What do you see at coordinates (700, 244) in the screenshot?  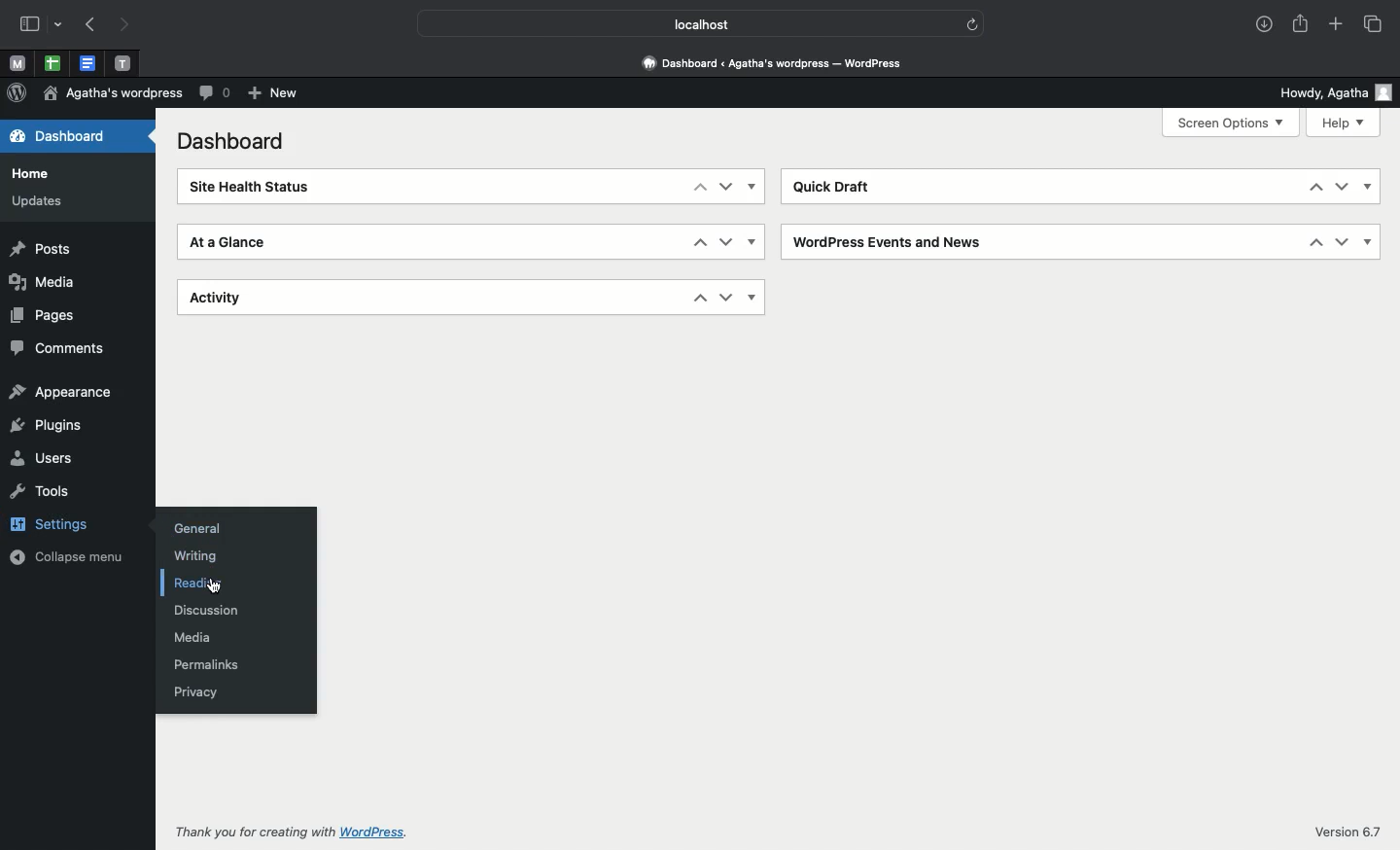 I see `Up` at bounding box center [700, 244].